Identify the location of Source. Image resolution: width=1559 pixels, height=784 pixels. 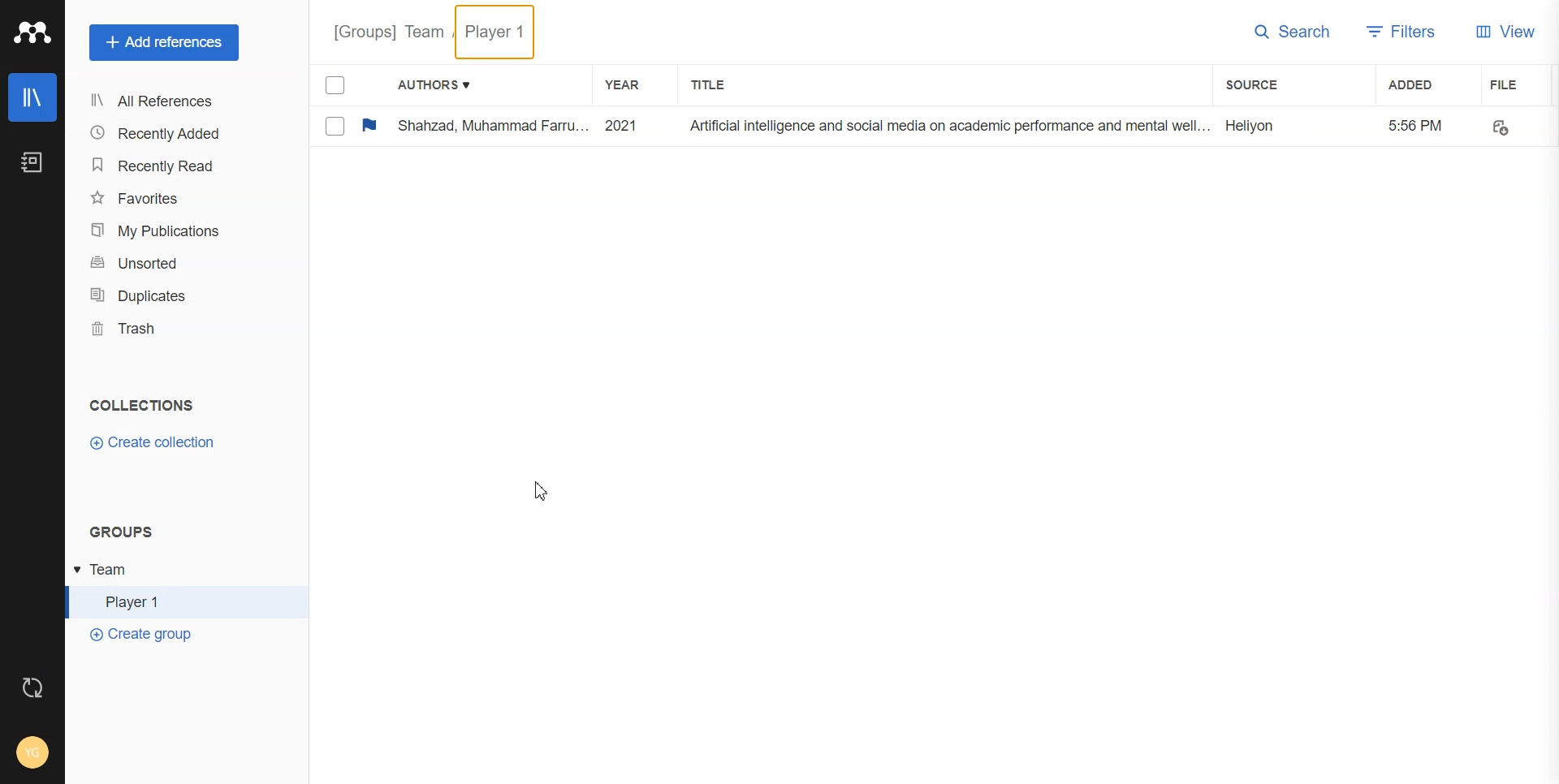
(1257, 84).